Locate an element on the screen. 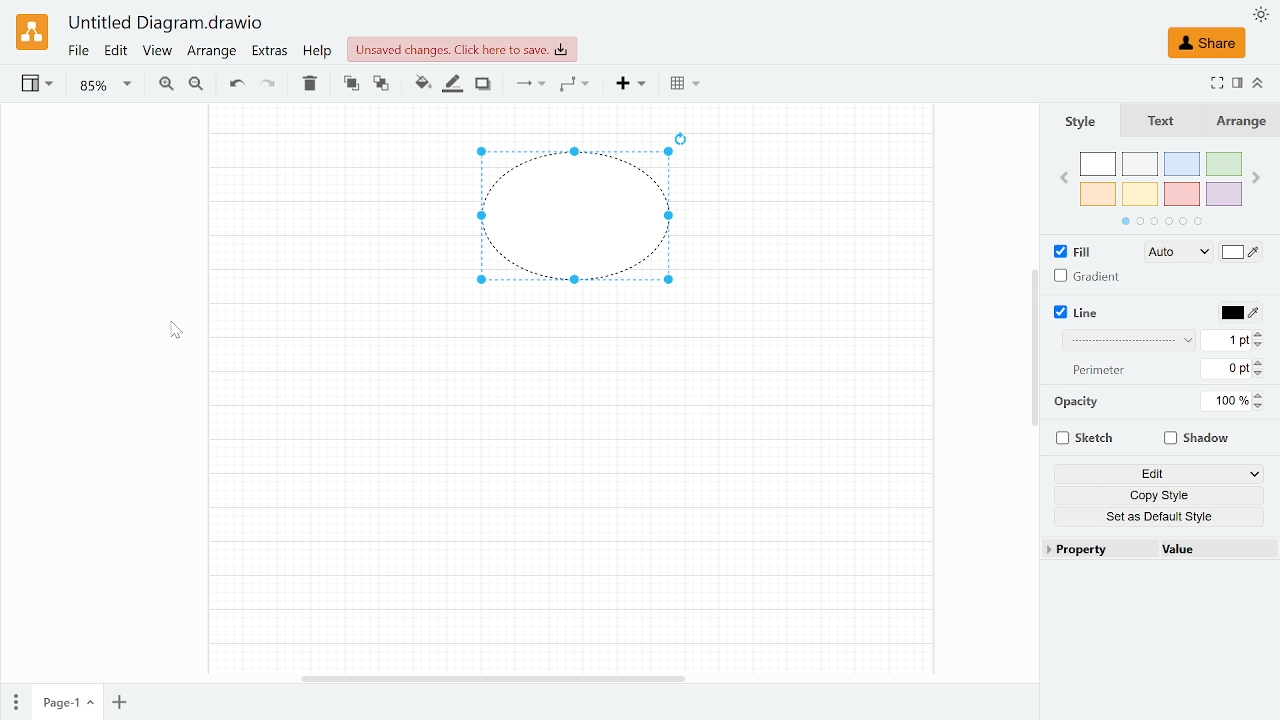 Image resolution: width=1280 pixels, height=720 pixels. Fill color is located at coordinates (422, 83).